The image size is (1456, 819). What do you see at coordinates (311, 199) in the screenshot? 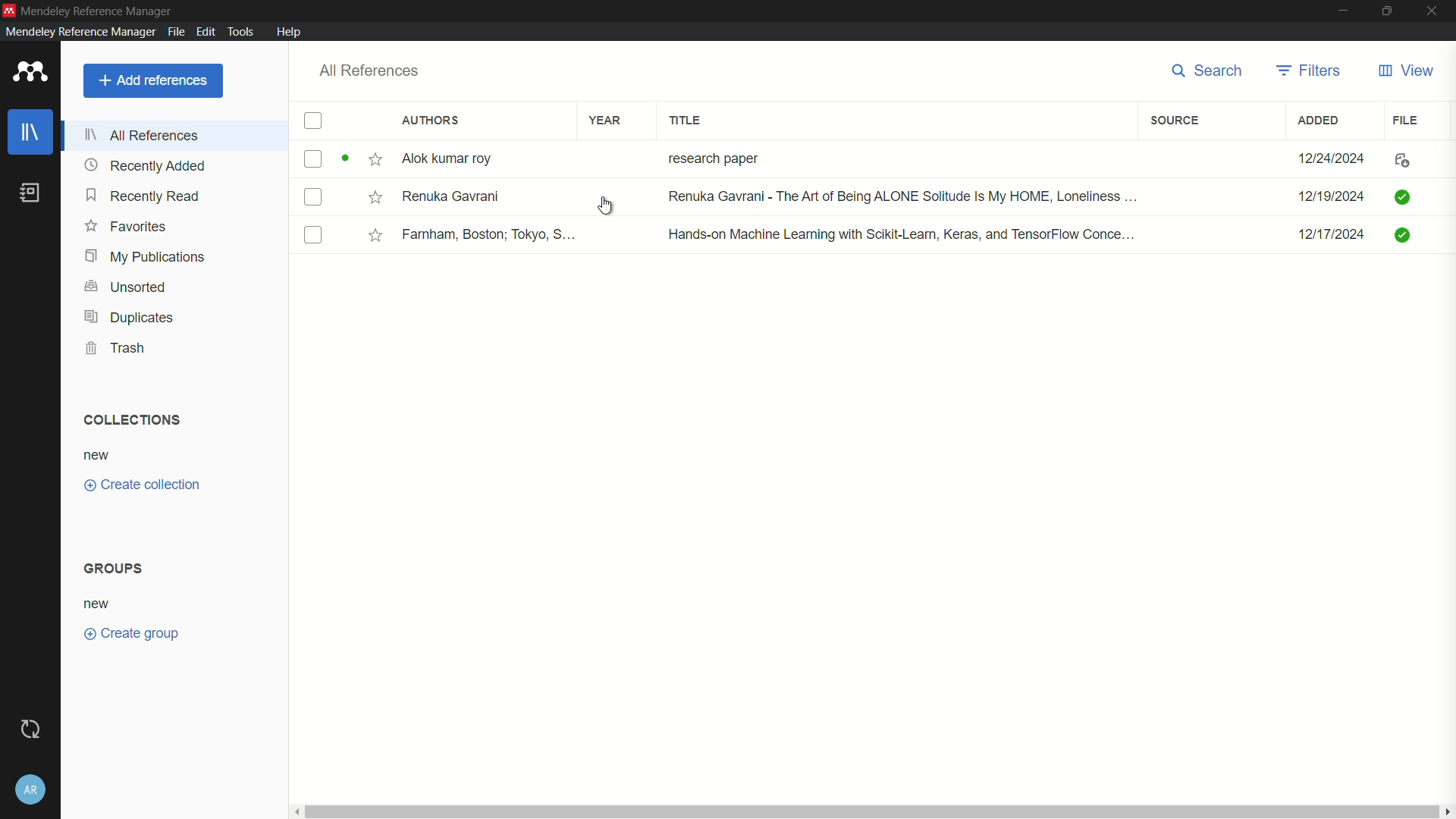
I see `Checkbox` at bounding box center [311, 199].